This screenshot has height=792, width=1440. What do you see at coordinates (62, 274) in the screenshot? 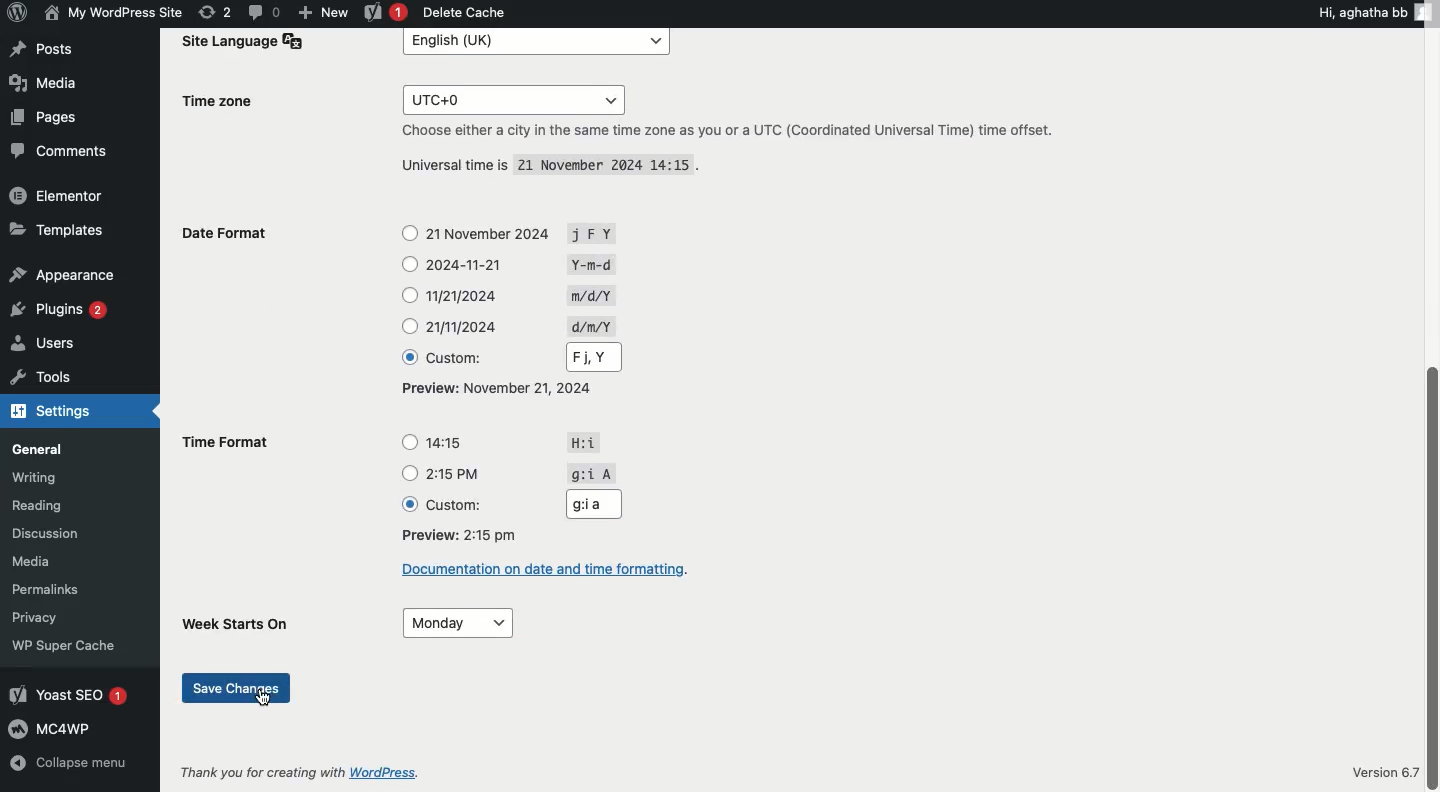
I see `Appearance` at bounding box center [62, 274].